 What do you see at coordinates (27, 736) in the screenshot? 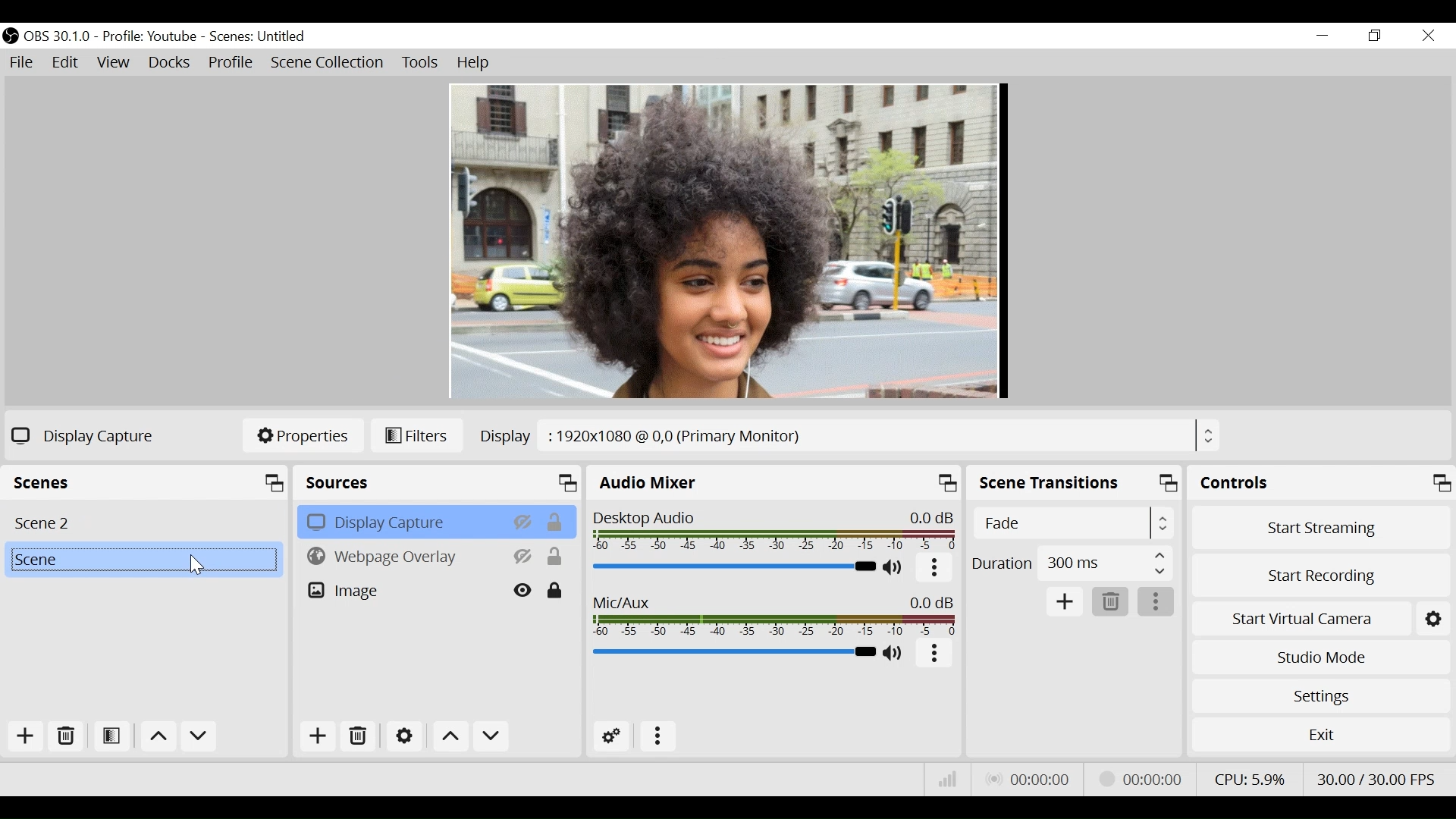
I see `Add` at bounding box center [27, 736].